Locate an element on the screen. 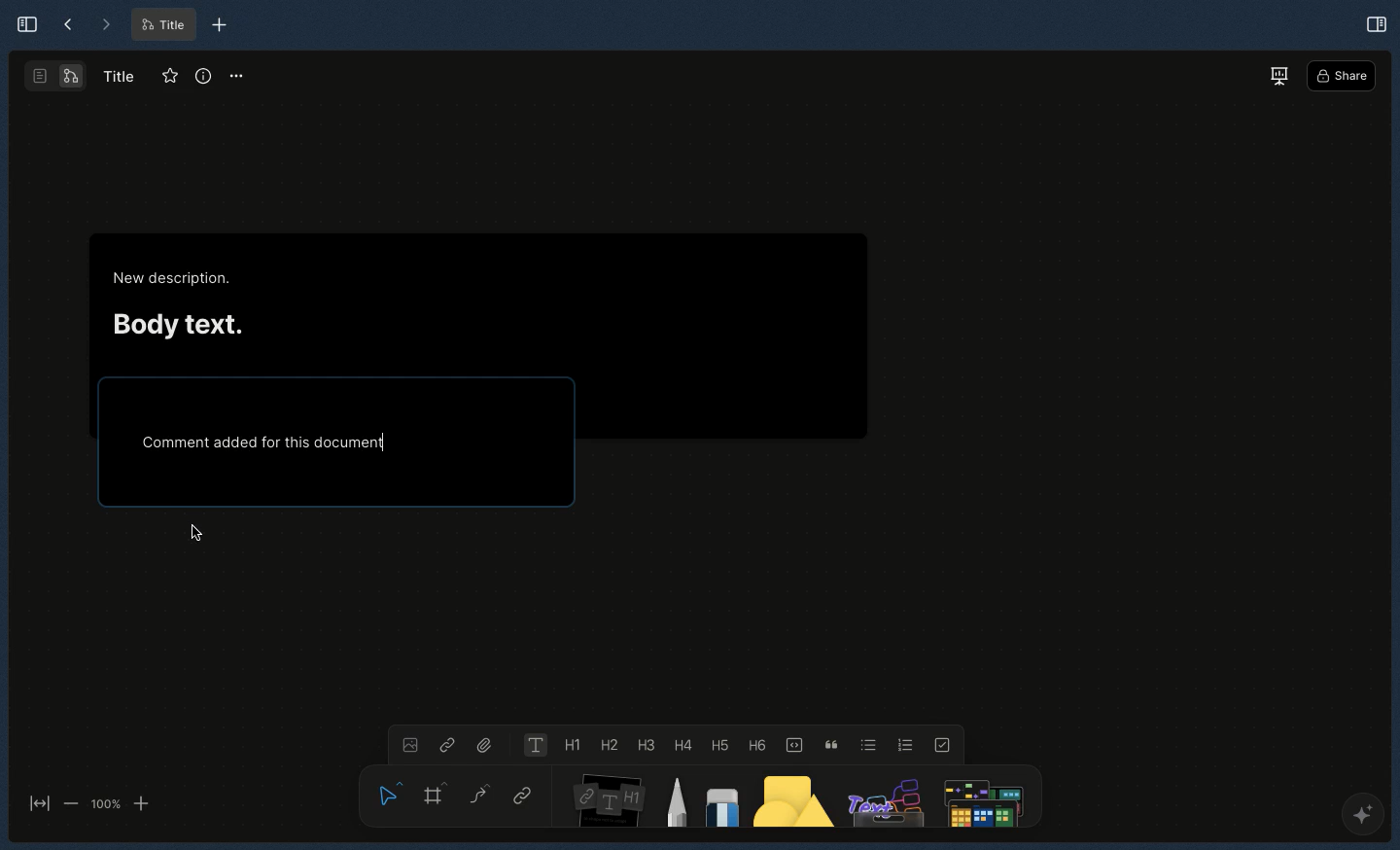  To-do list is located at coordinates (945, 744).